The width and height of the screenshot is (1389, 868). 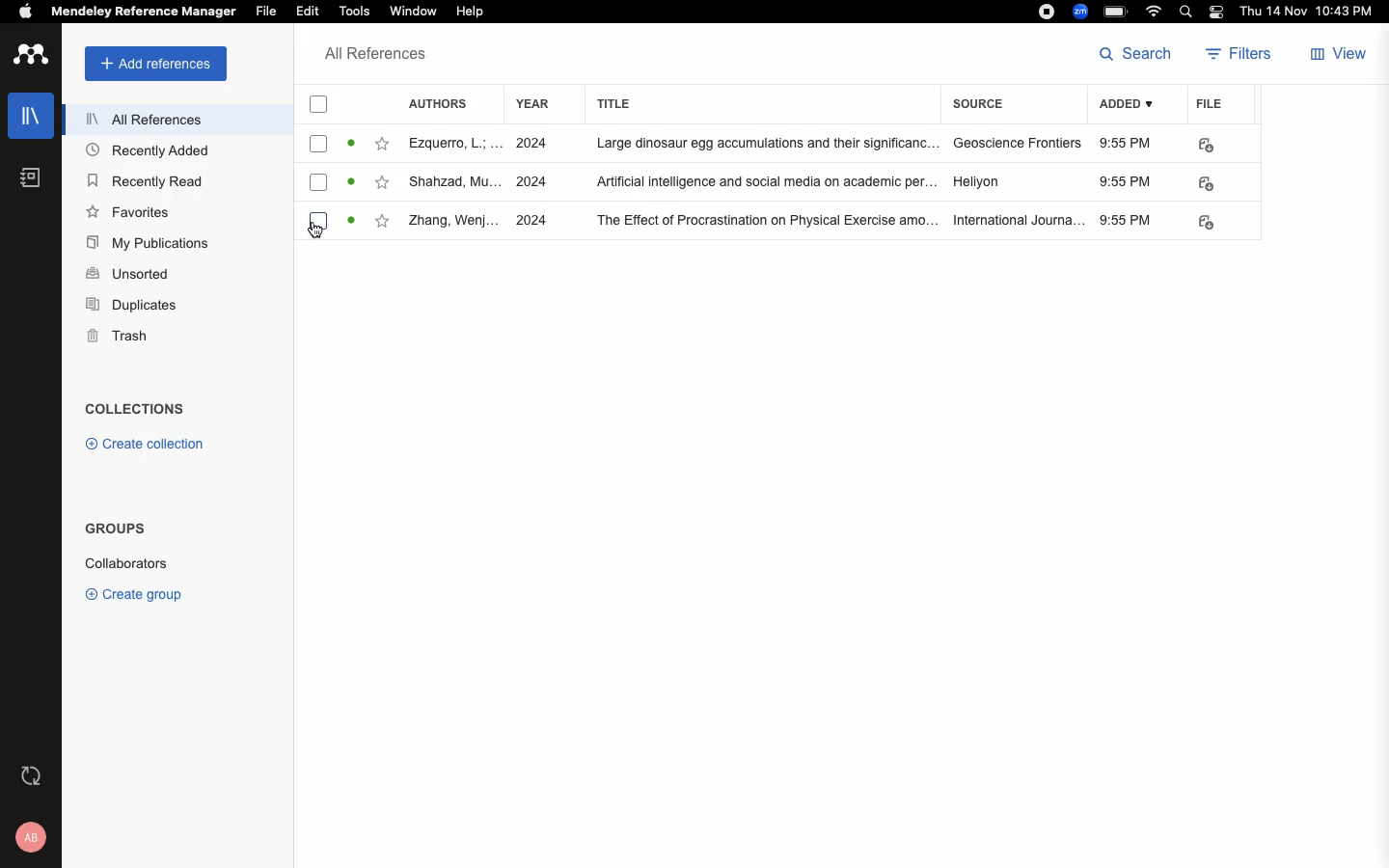 I want to click on Zoom, so click(x=1081, y=12).